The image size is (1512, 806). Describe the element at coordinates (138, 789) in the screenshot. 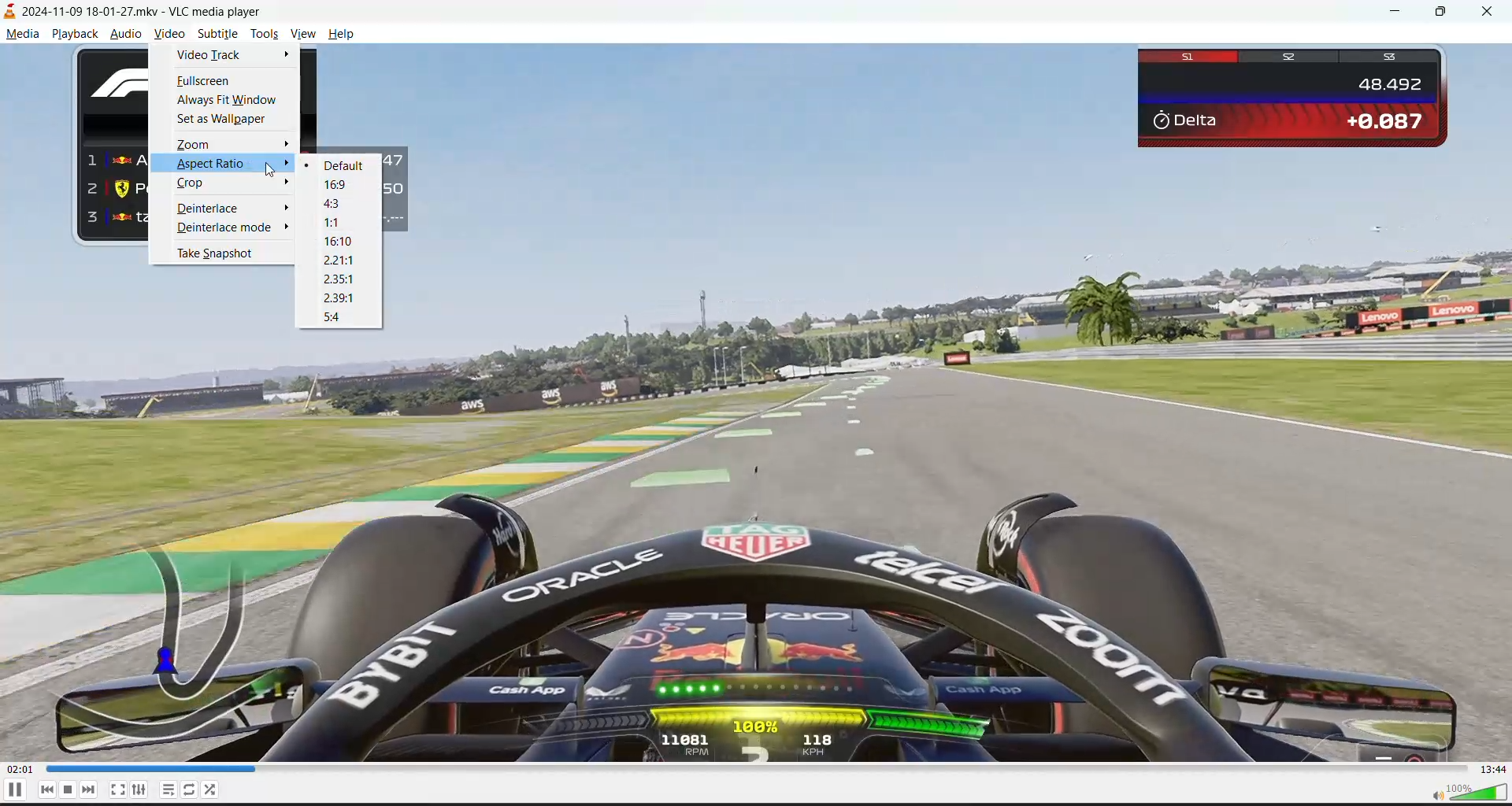

I see `settings` at that location.